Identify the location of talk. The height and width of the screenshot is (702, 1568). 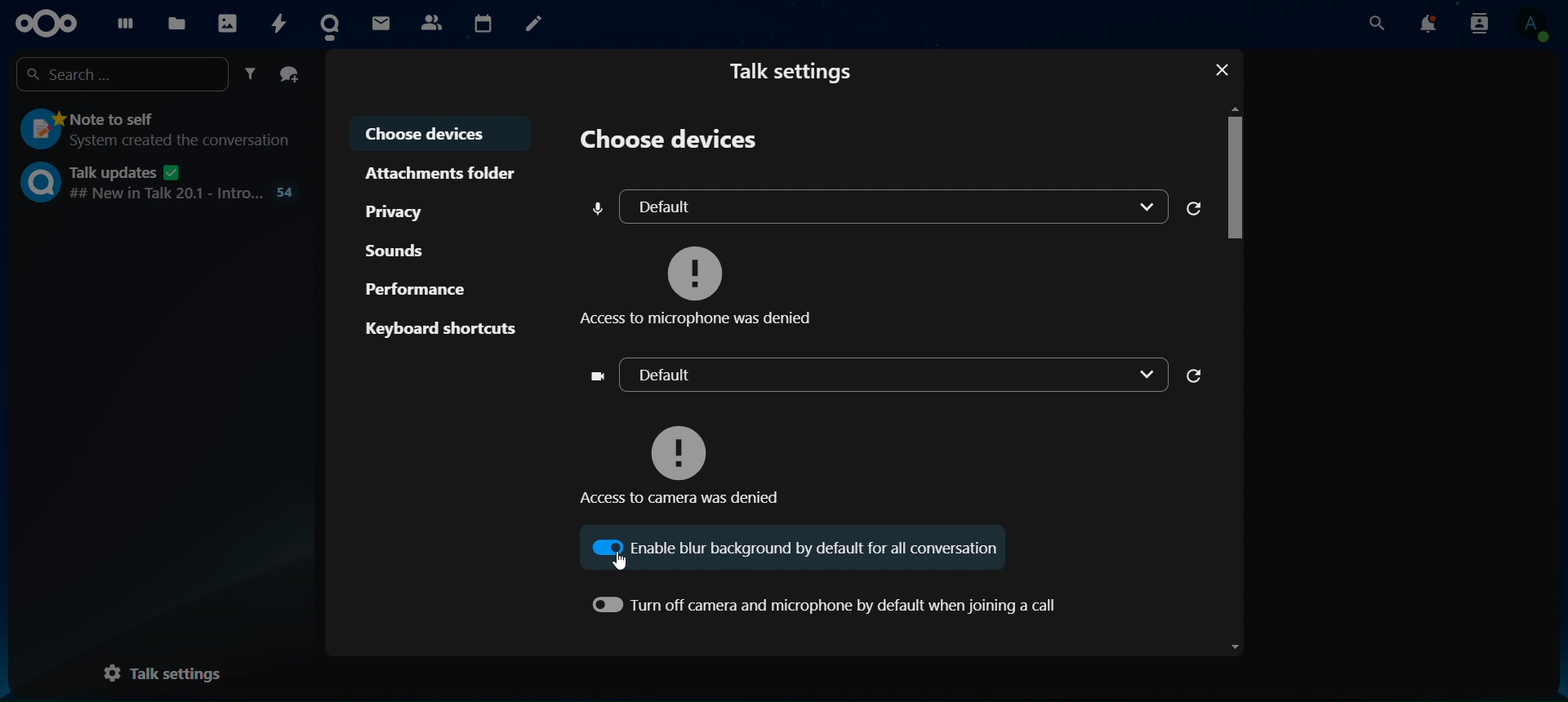
(332, 21).